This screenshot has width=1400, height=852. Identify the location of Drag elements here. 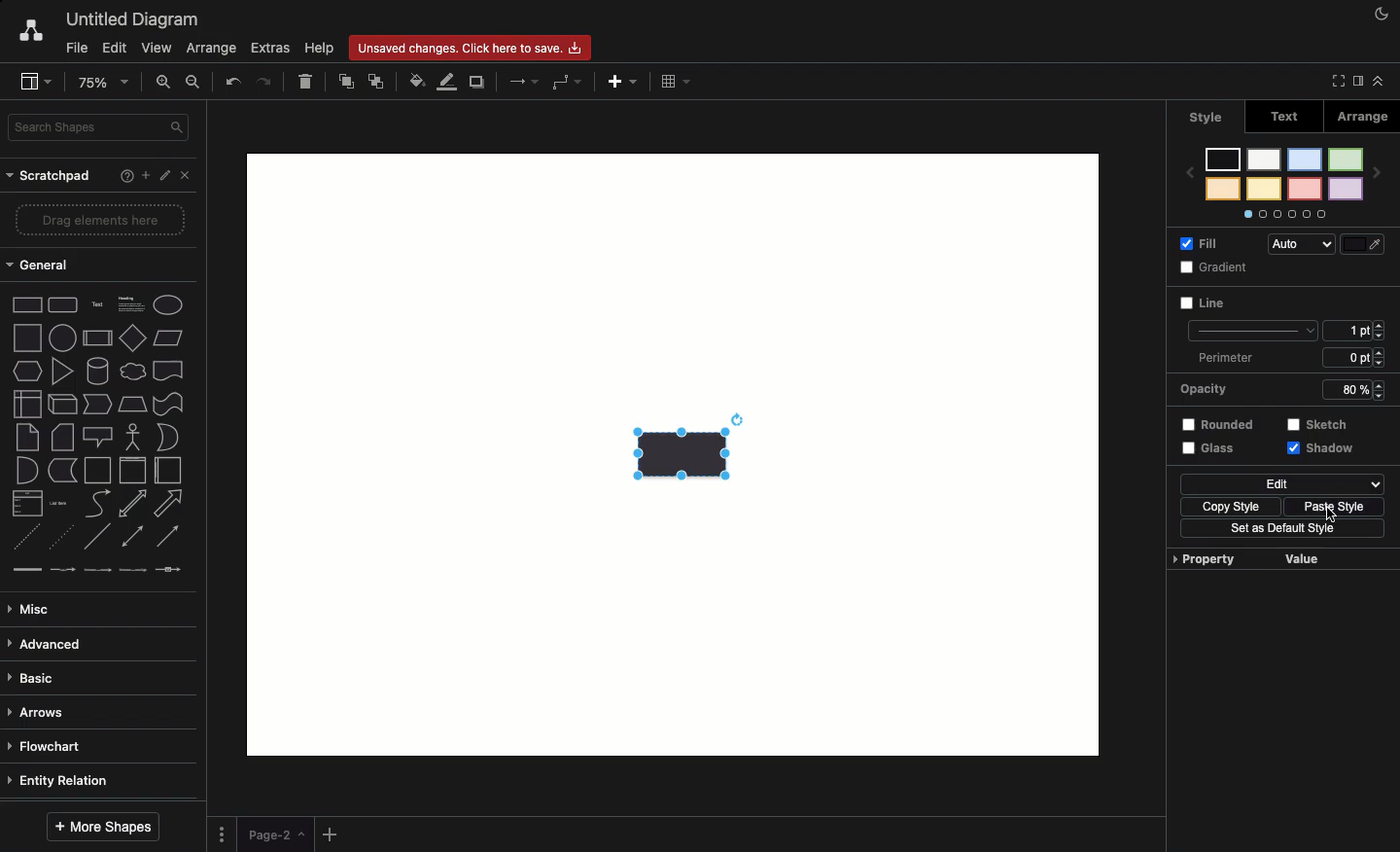
(103, 219).